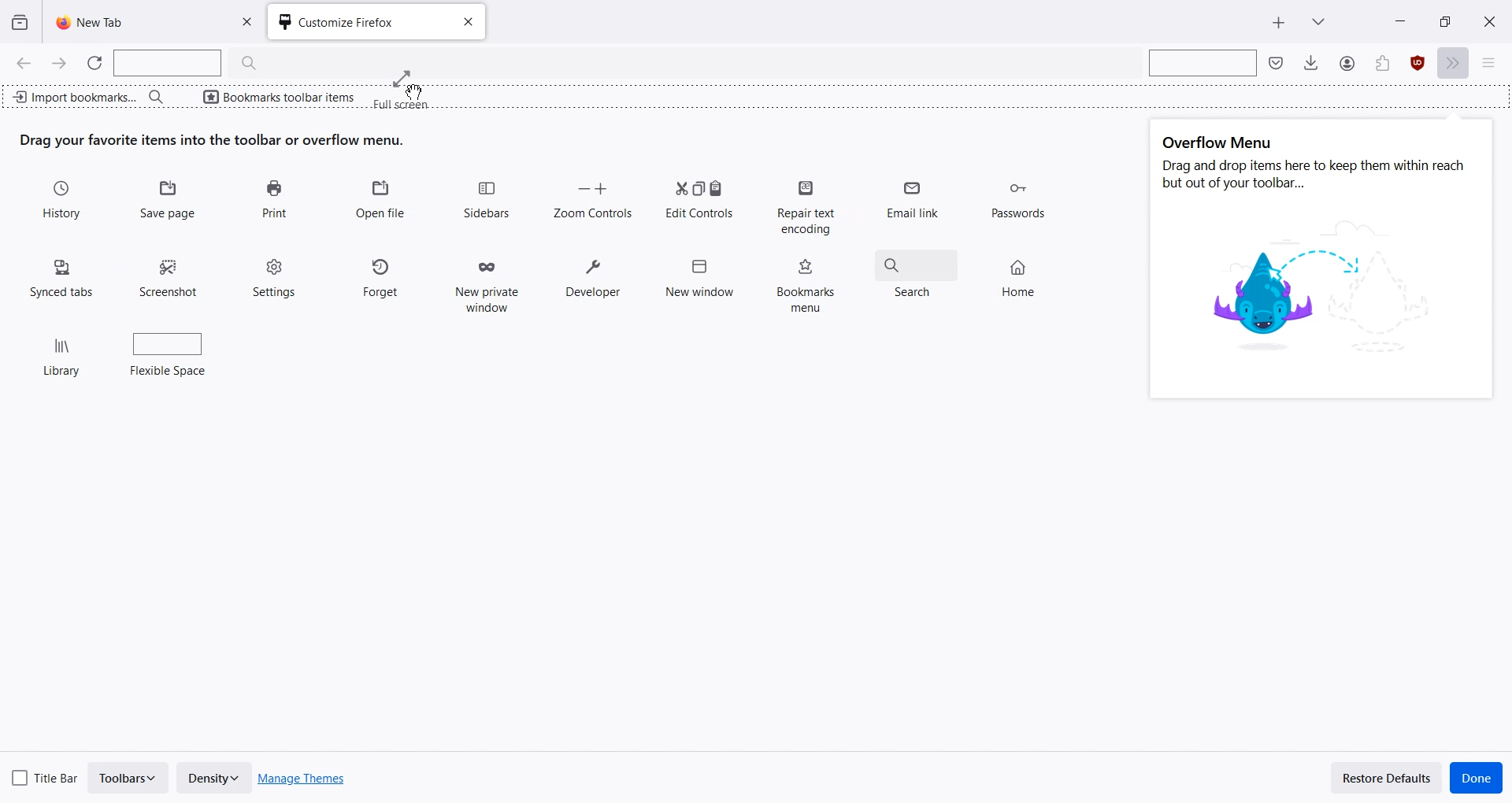 The height and width of the screenshot is (803, 1512). What do you see at coordinates (156, 96) in the screenshot?
I see `Search bar` at bounding box center [156, 96].